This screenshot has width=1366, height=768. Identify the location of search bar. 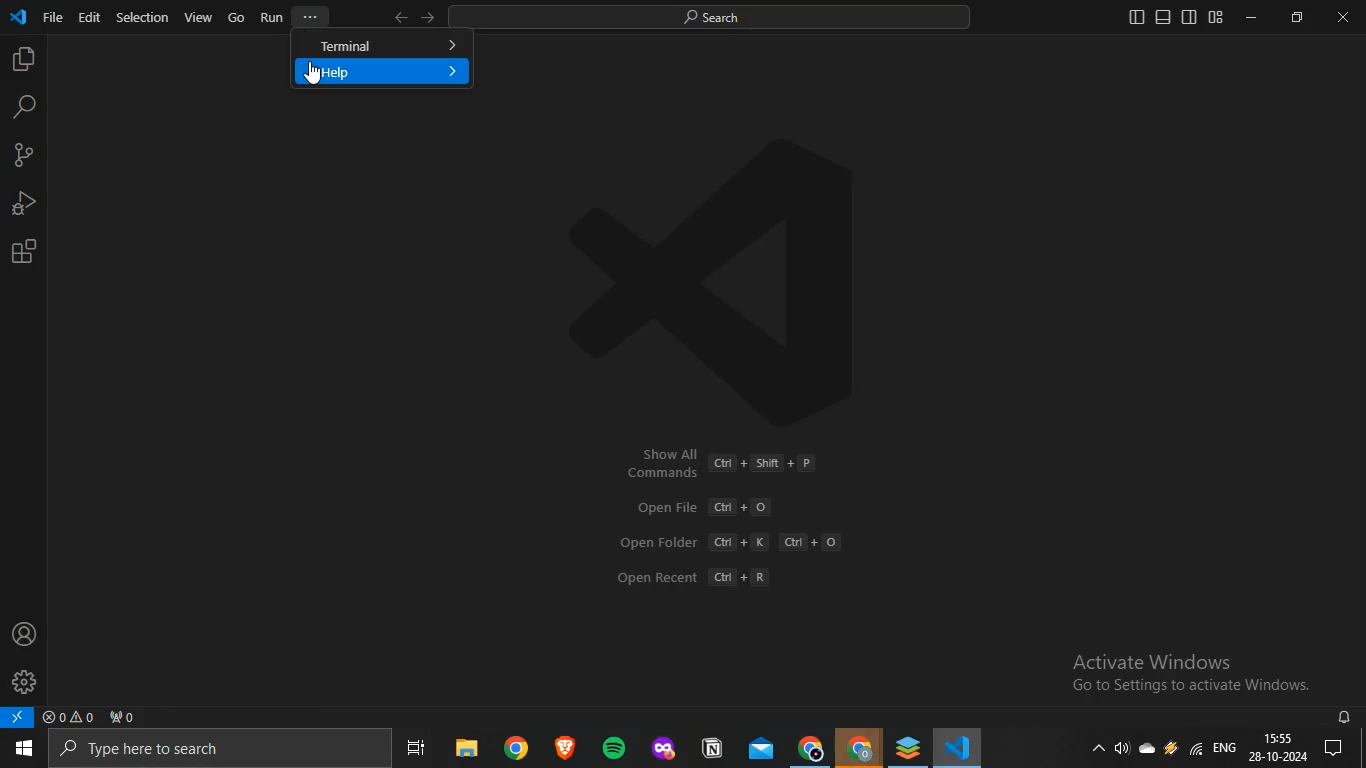
(213, 749).